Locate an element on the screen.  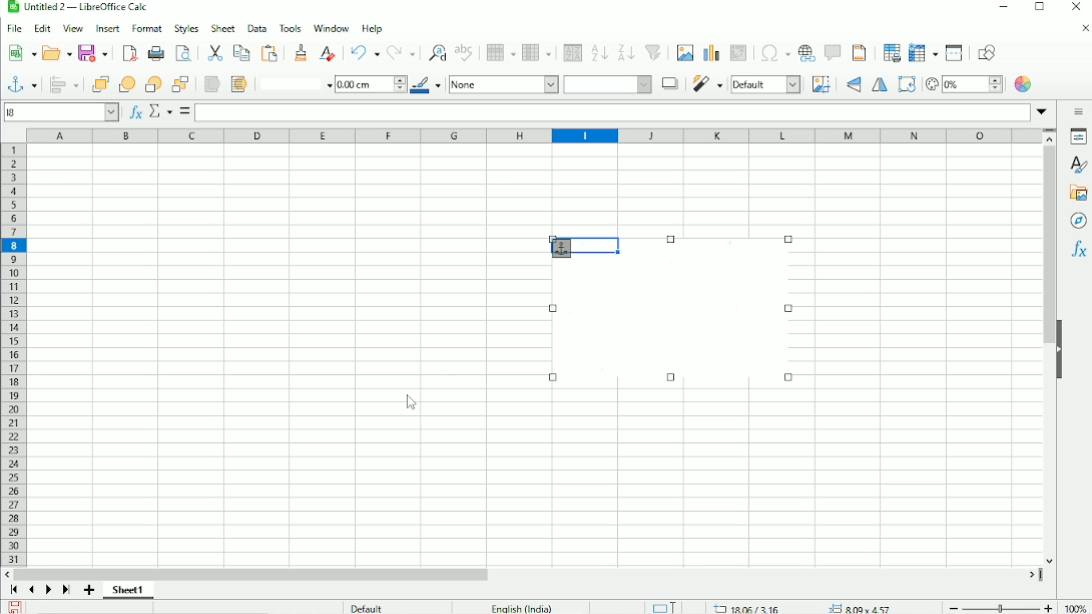
Navigator is located at coordinates (1076, 220).